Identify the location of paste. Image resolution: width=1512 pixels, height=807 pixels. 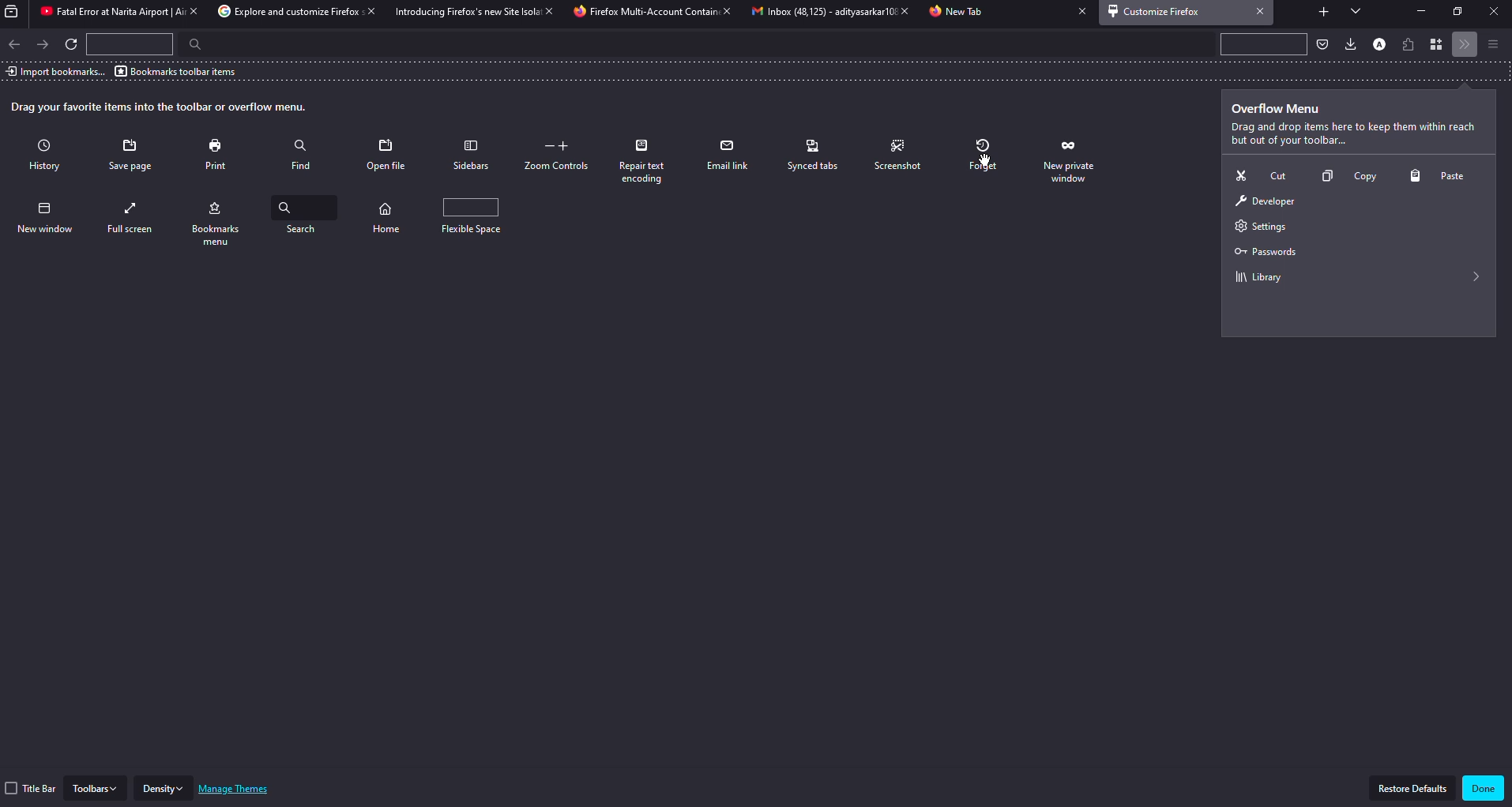
(1442, 176).